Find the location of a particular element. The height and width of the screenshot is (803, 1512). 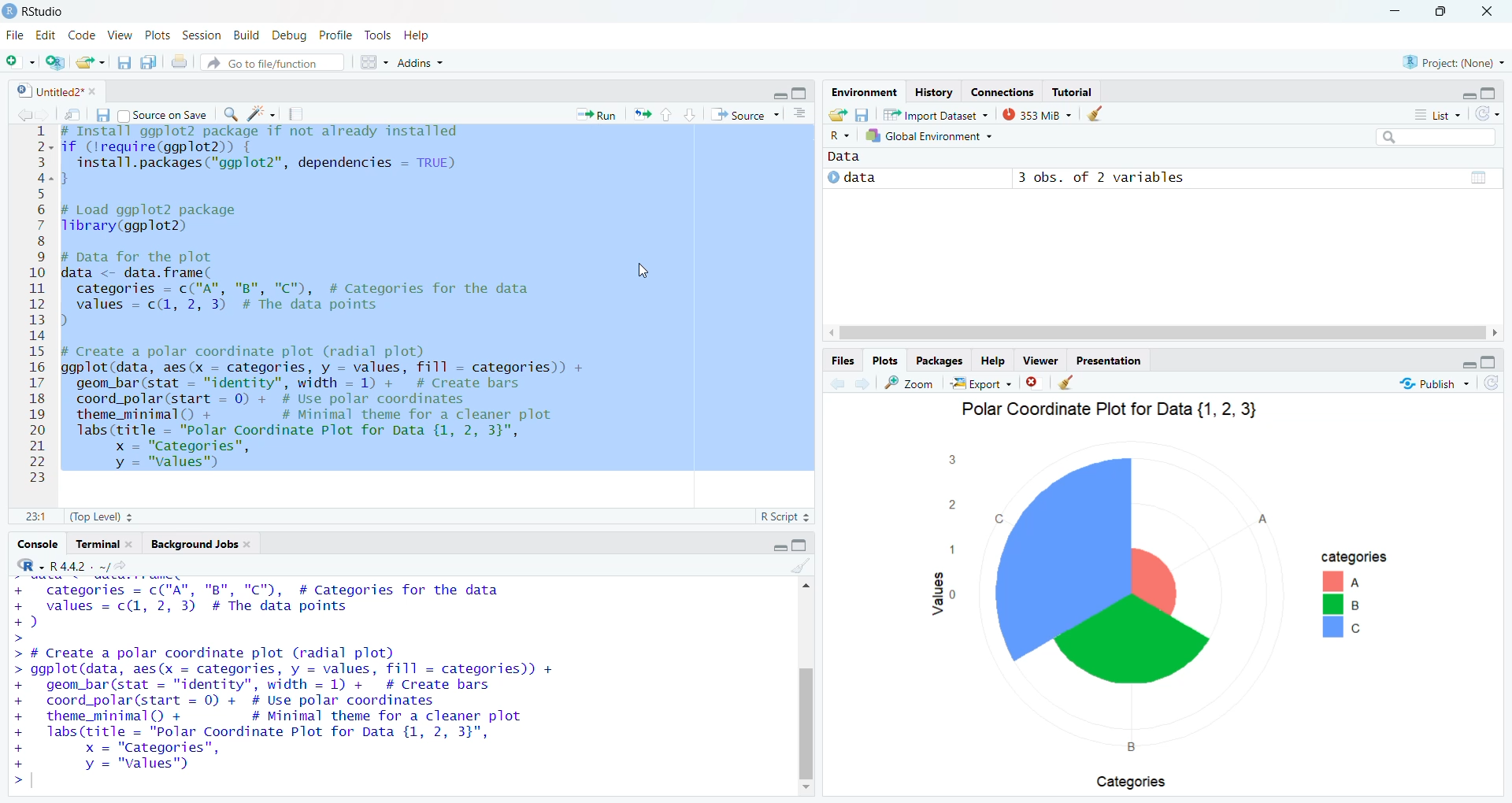

minimize is located at coordinates (1393, 9).